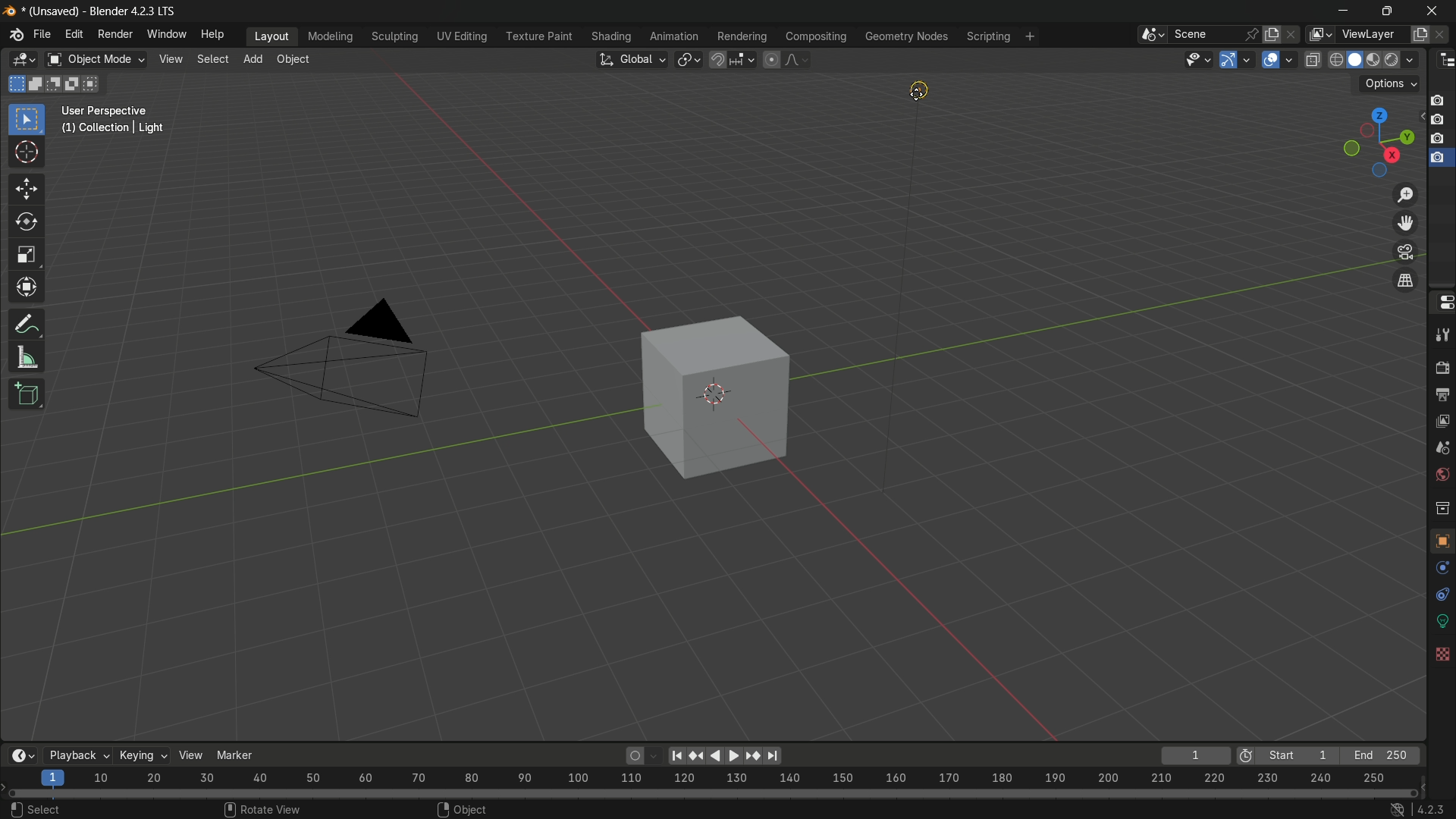  I want to click on remove view layer, so click(1442, 36).